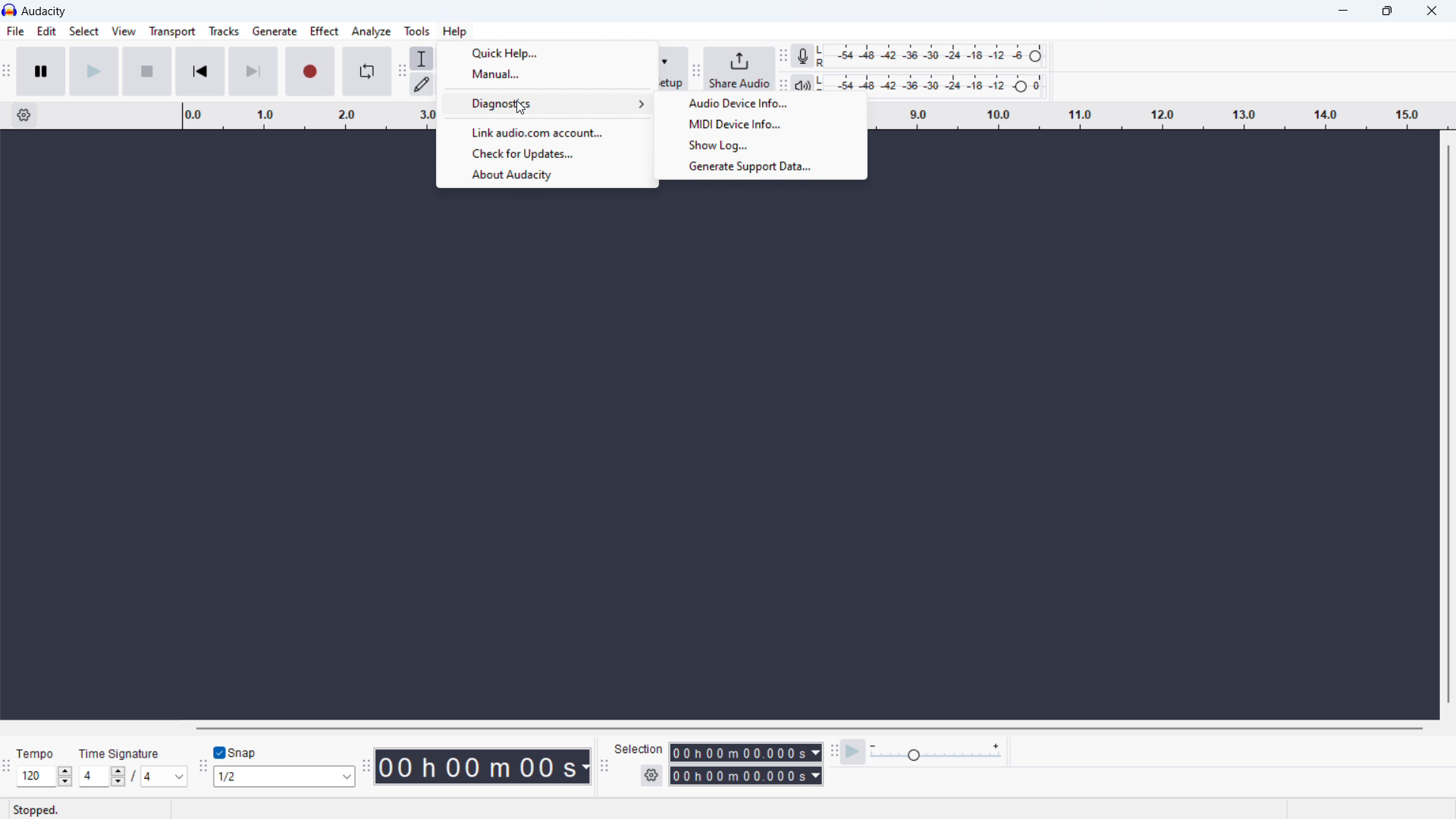 This screenshot has height=819, width=1456. I want to click on select snapping, so click(284, 777).